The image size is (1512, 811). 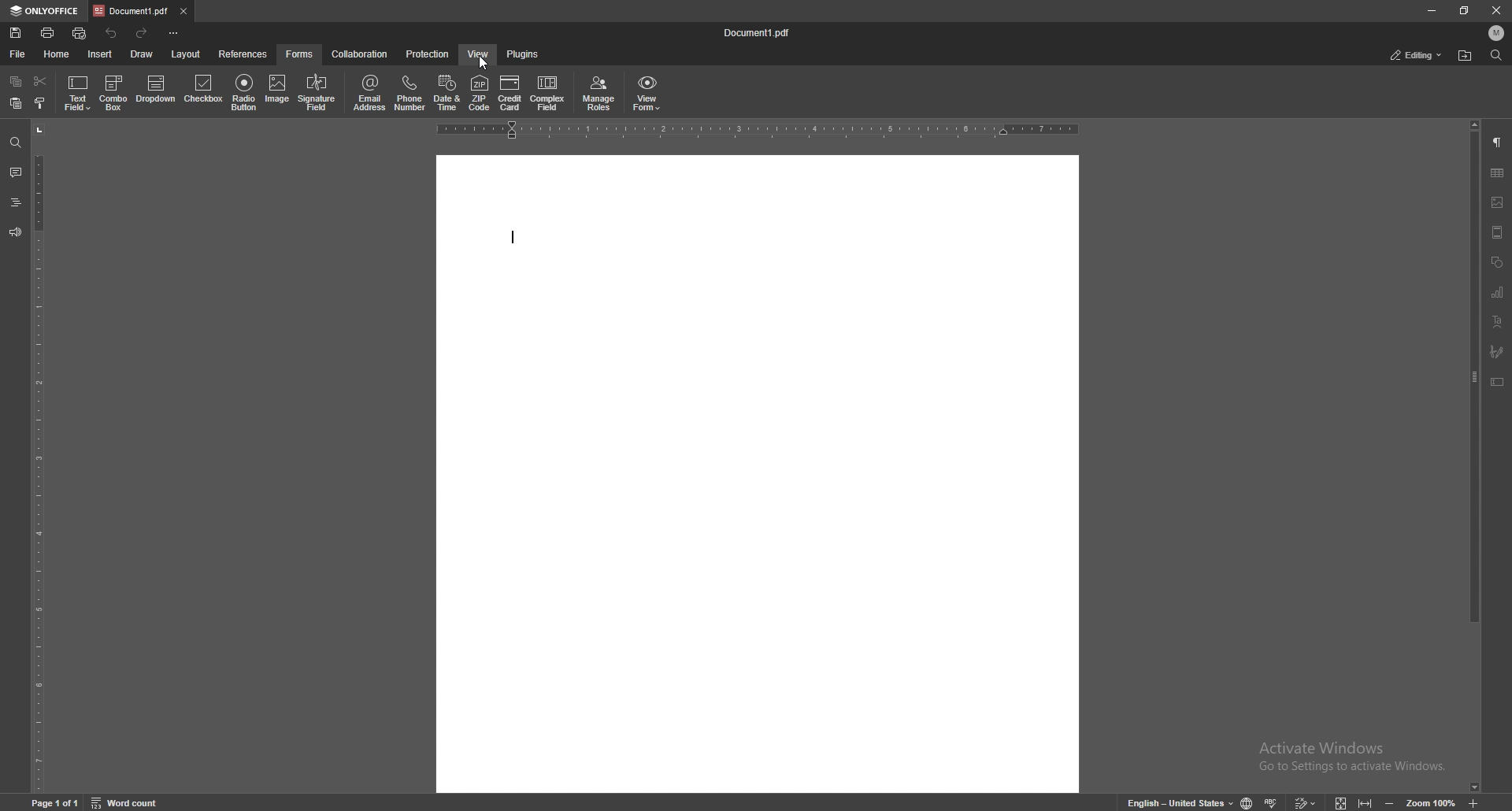 I want to click on file name, so click(x=761, y=34).